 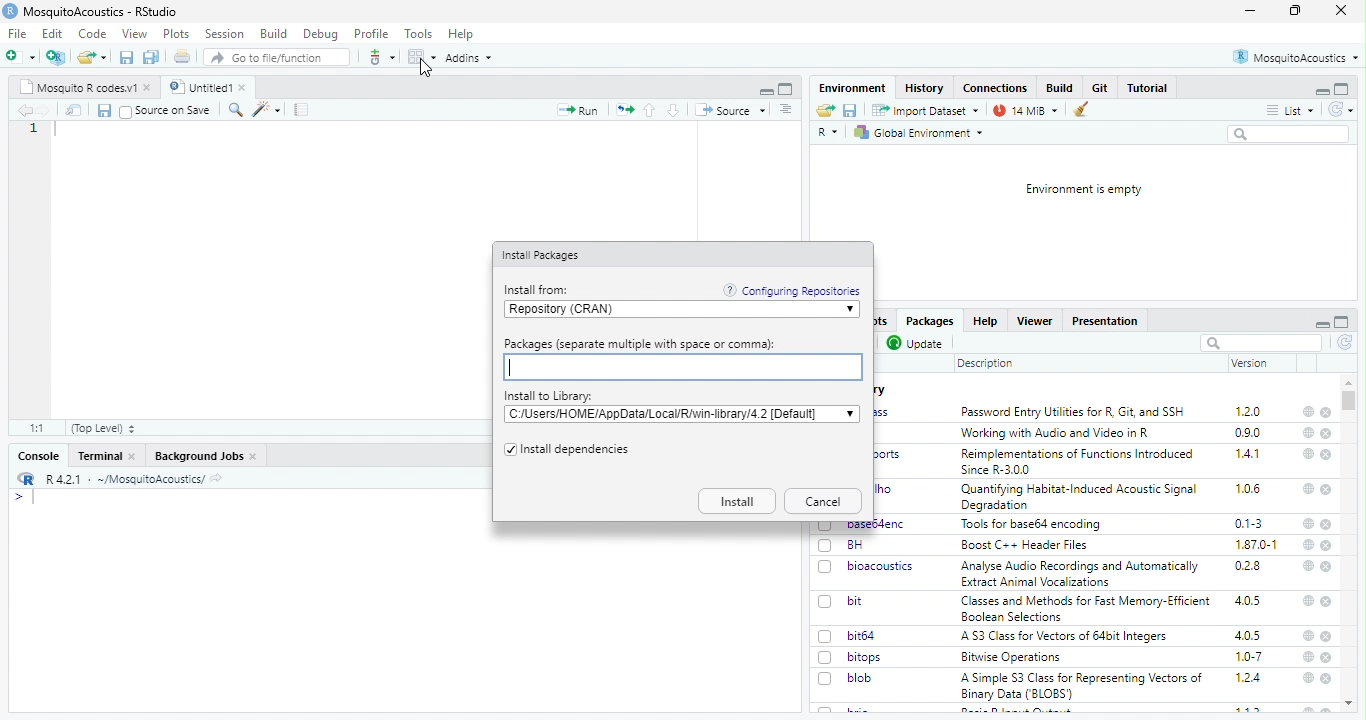 I want to click on Install from:, so click(x=539, y=290).